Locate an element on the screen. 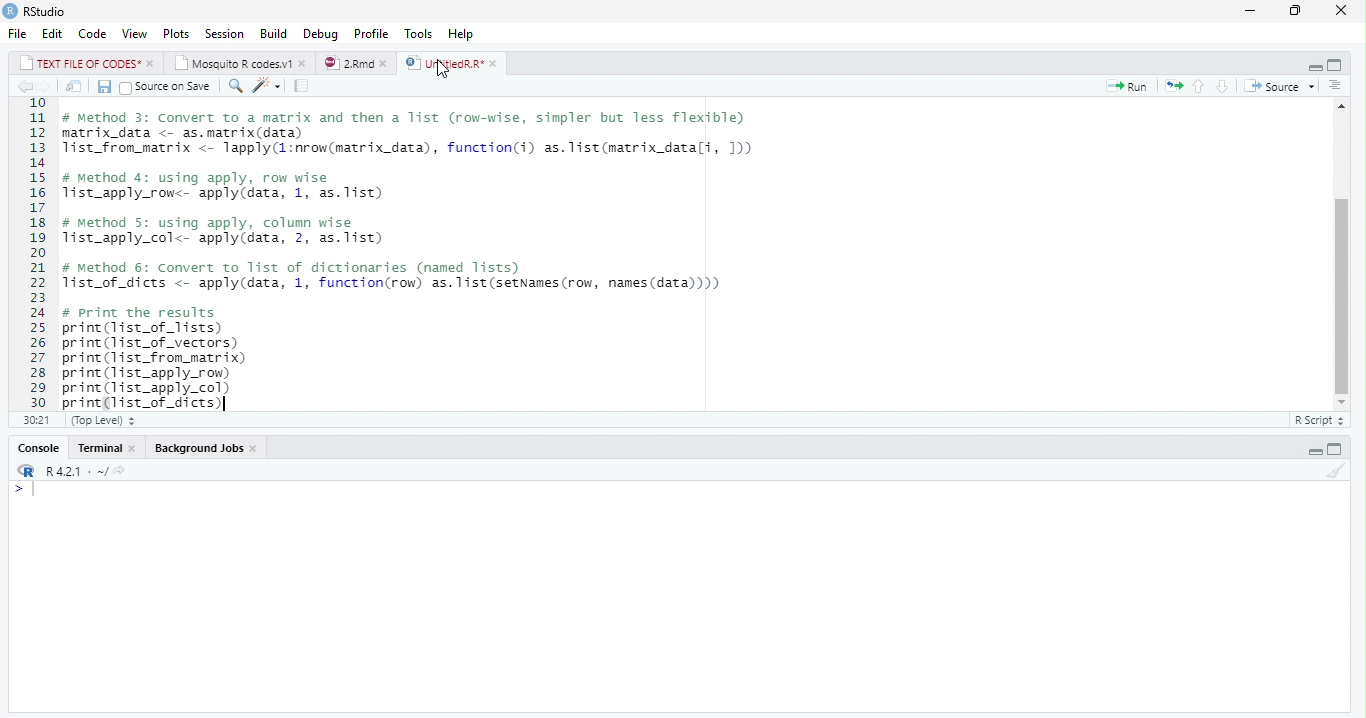 The image size is (1366, 718). Console is located at coordinates (678, 596).